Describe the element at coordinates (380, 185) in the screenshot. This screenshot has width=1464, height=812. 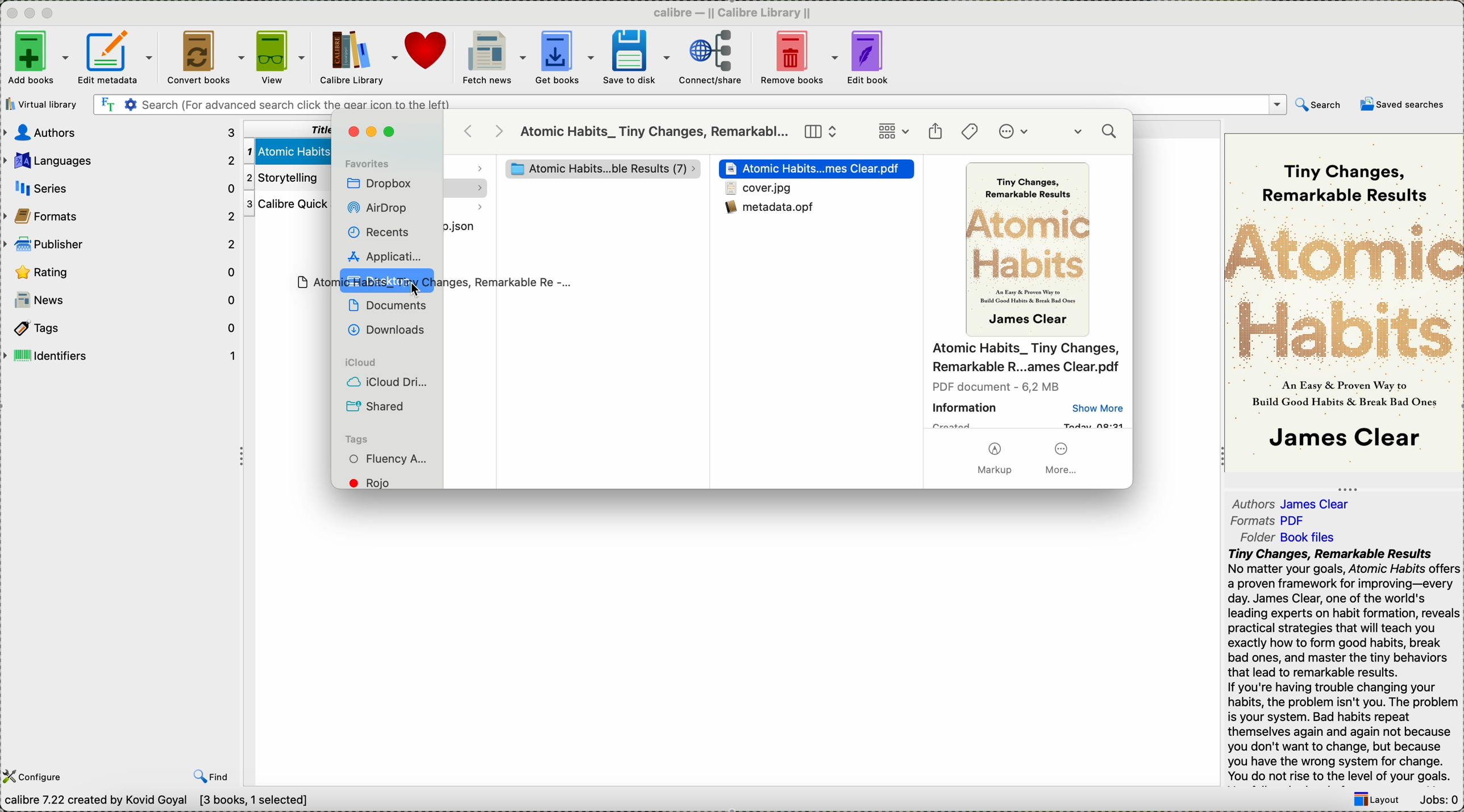
I see `Dropbox` at that location.